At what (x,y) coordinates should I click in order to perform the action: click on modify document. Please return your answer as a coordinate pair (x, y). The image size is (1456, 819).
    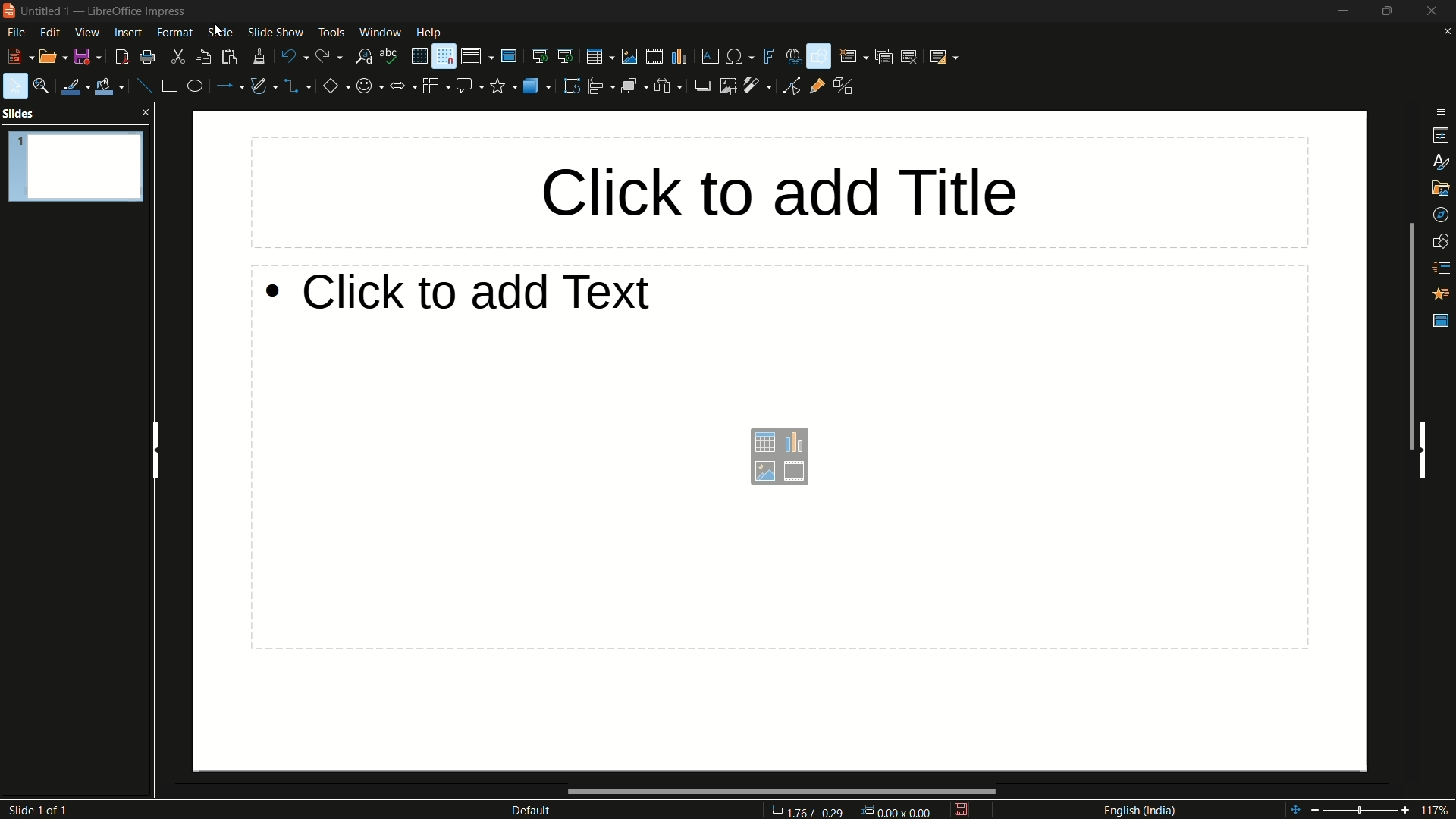
    Looking at the image, I should click on (966, 810).